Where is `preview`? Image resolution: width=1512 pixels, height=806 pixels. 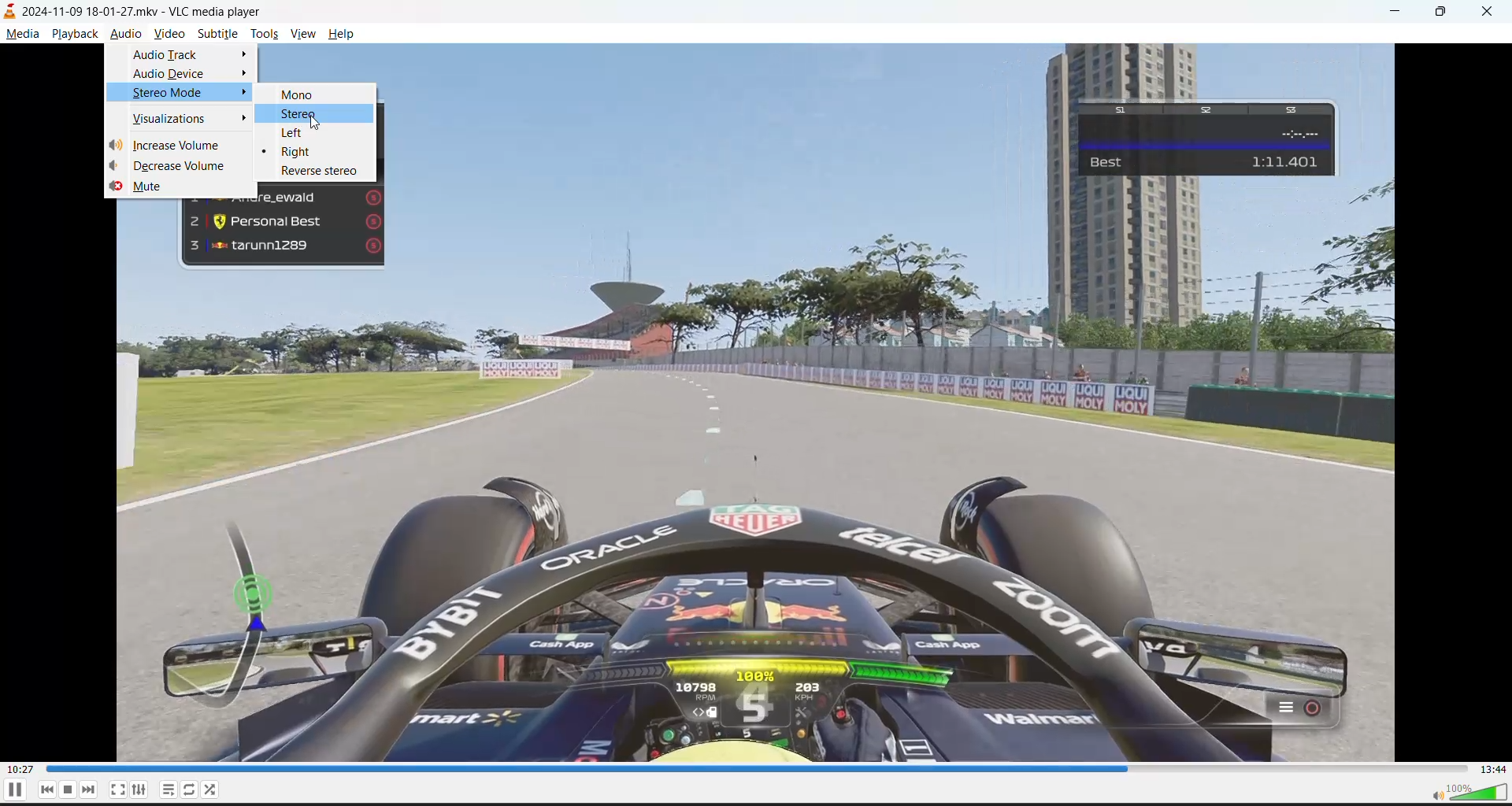 preview is located at coordinates (754, 519).